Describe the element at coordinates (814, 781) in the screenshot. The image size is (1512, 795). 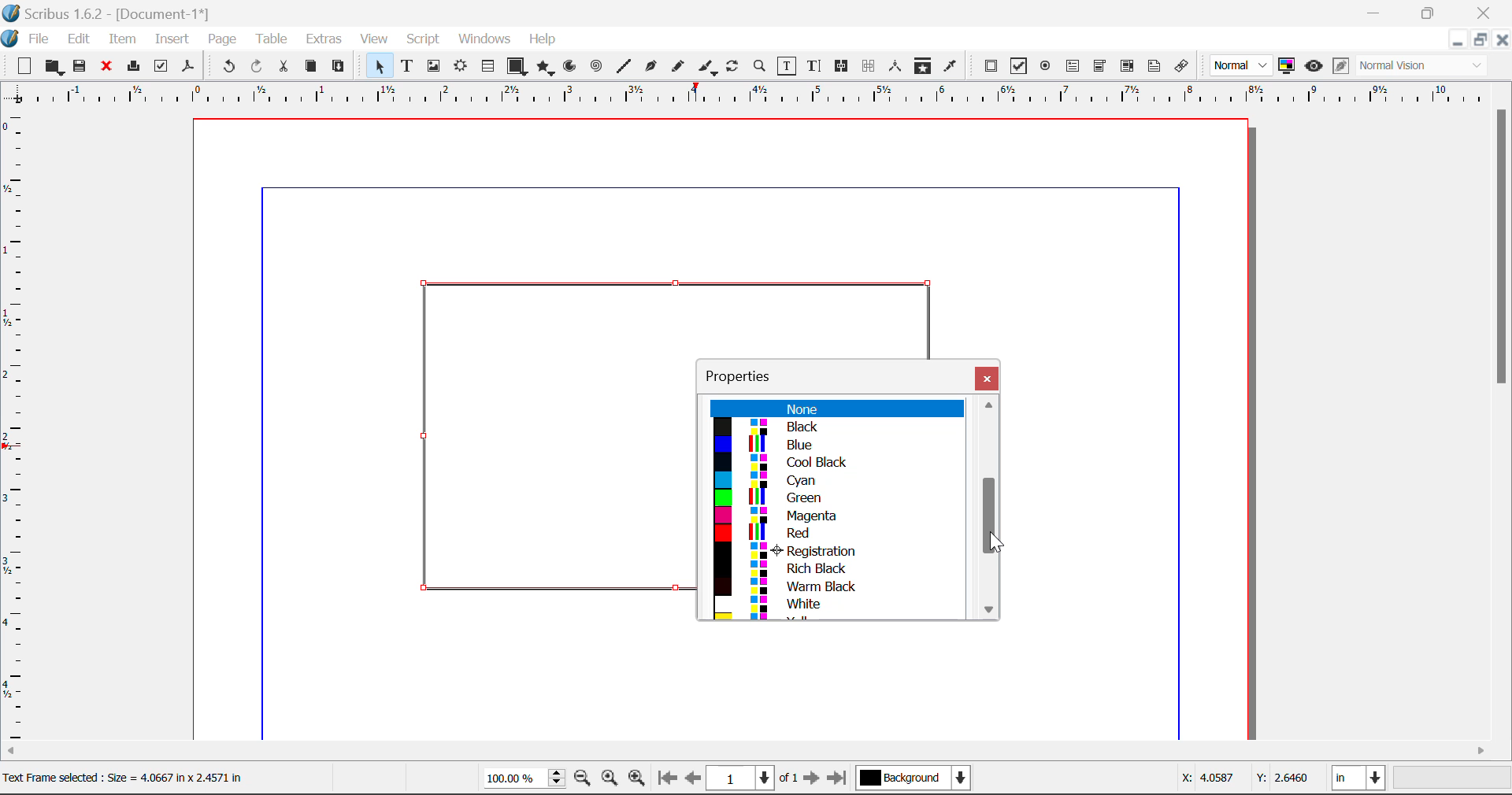
I see `Next Page` at that location.